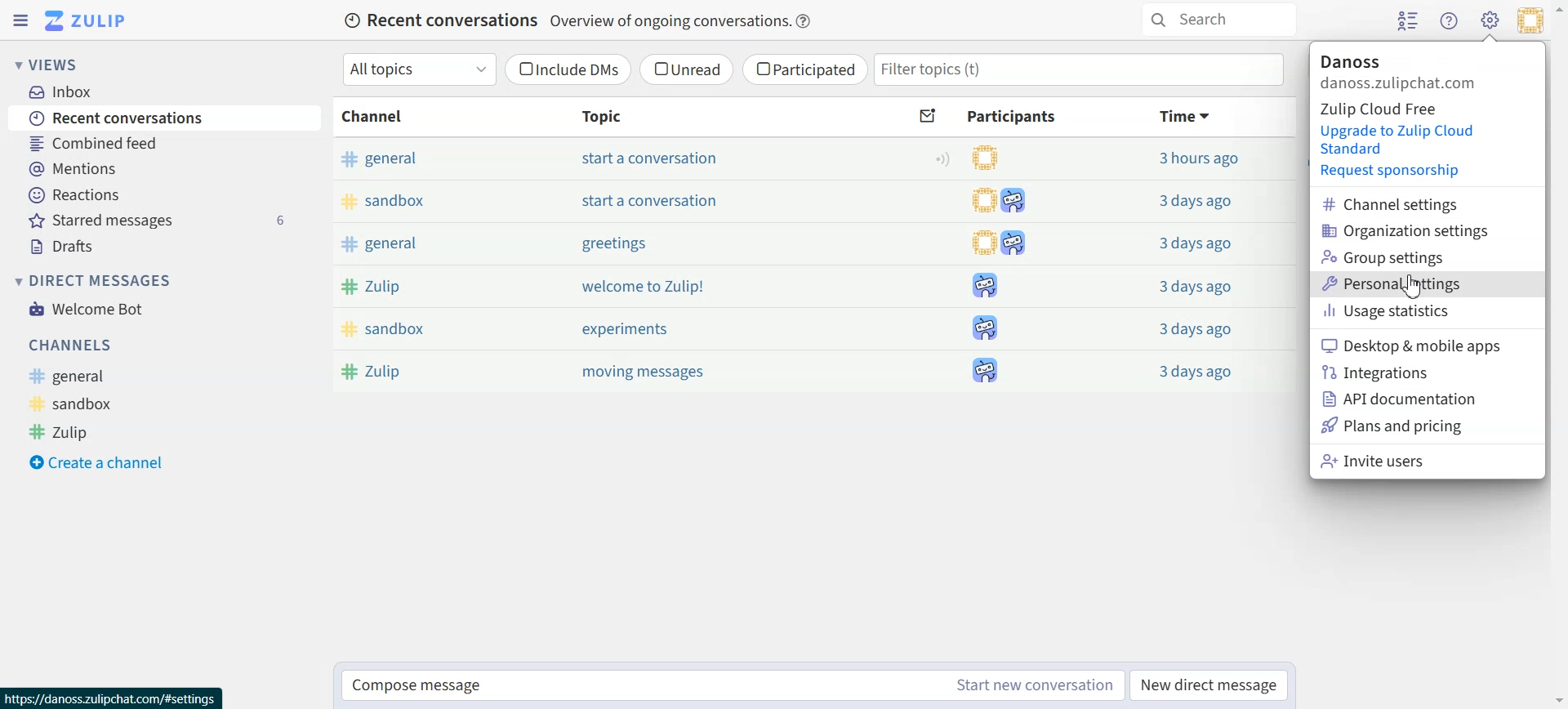 The width and height of the screenshot is (1568, 709). I want to click on 3 days ago, so click(1192, 244).